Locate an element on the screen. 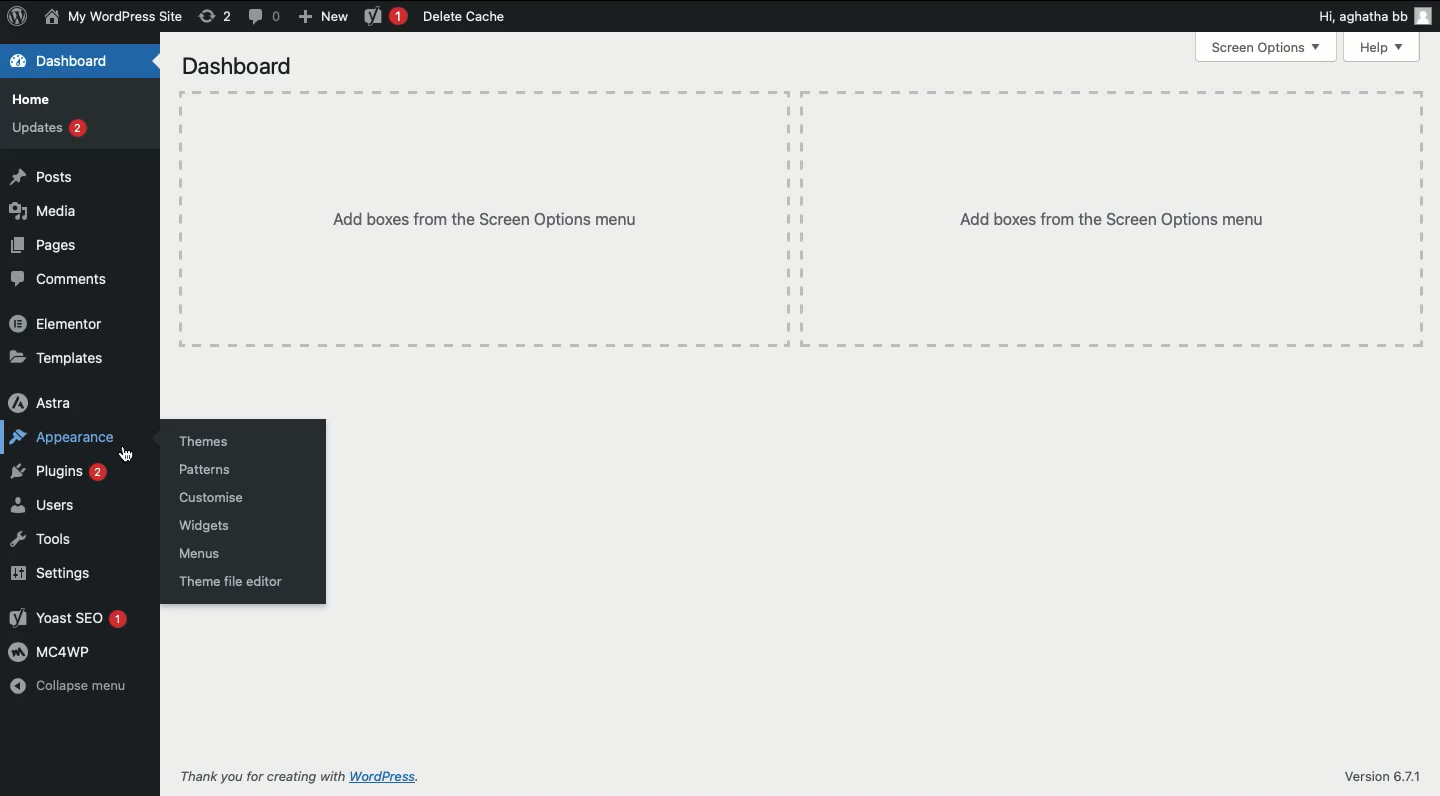  collapse menu is located at coordinates (78, 689).